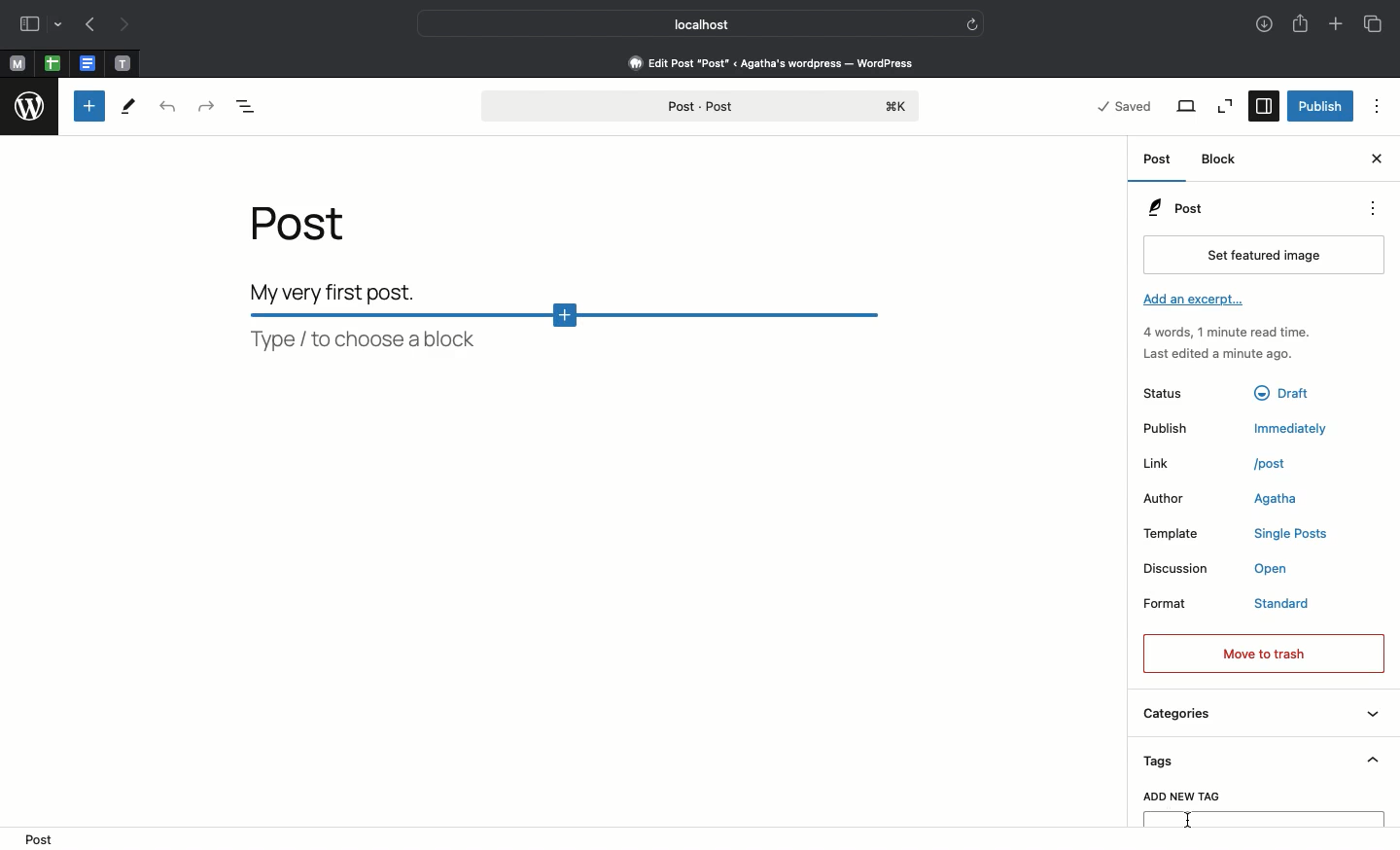  Describe the element at coordinates (1289, 531) in the screenshot. I see `single posts` at that location.